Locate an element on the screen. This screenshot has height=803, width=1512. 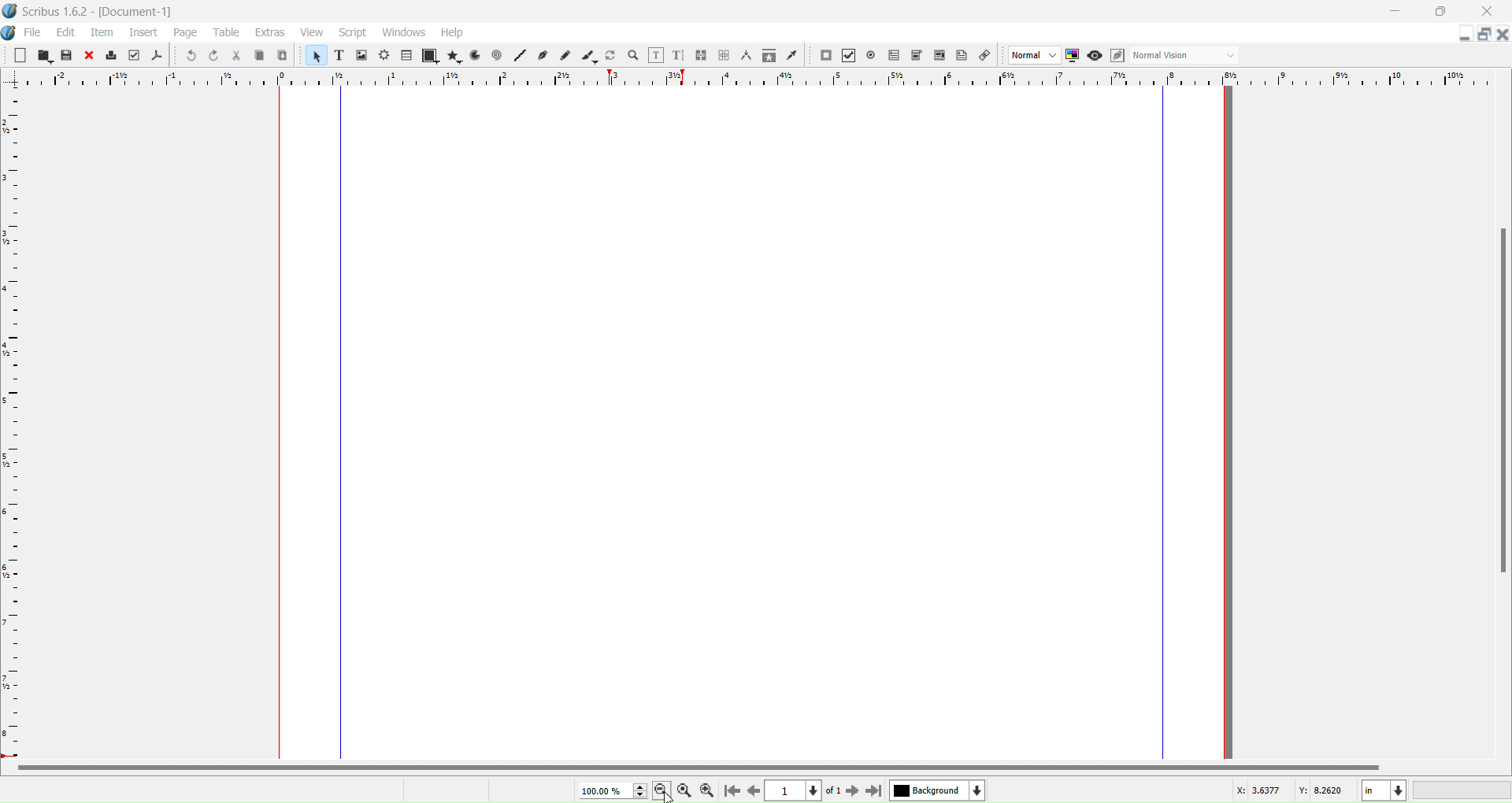
Arc is located at coordinates (474, 56).